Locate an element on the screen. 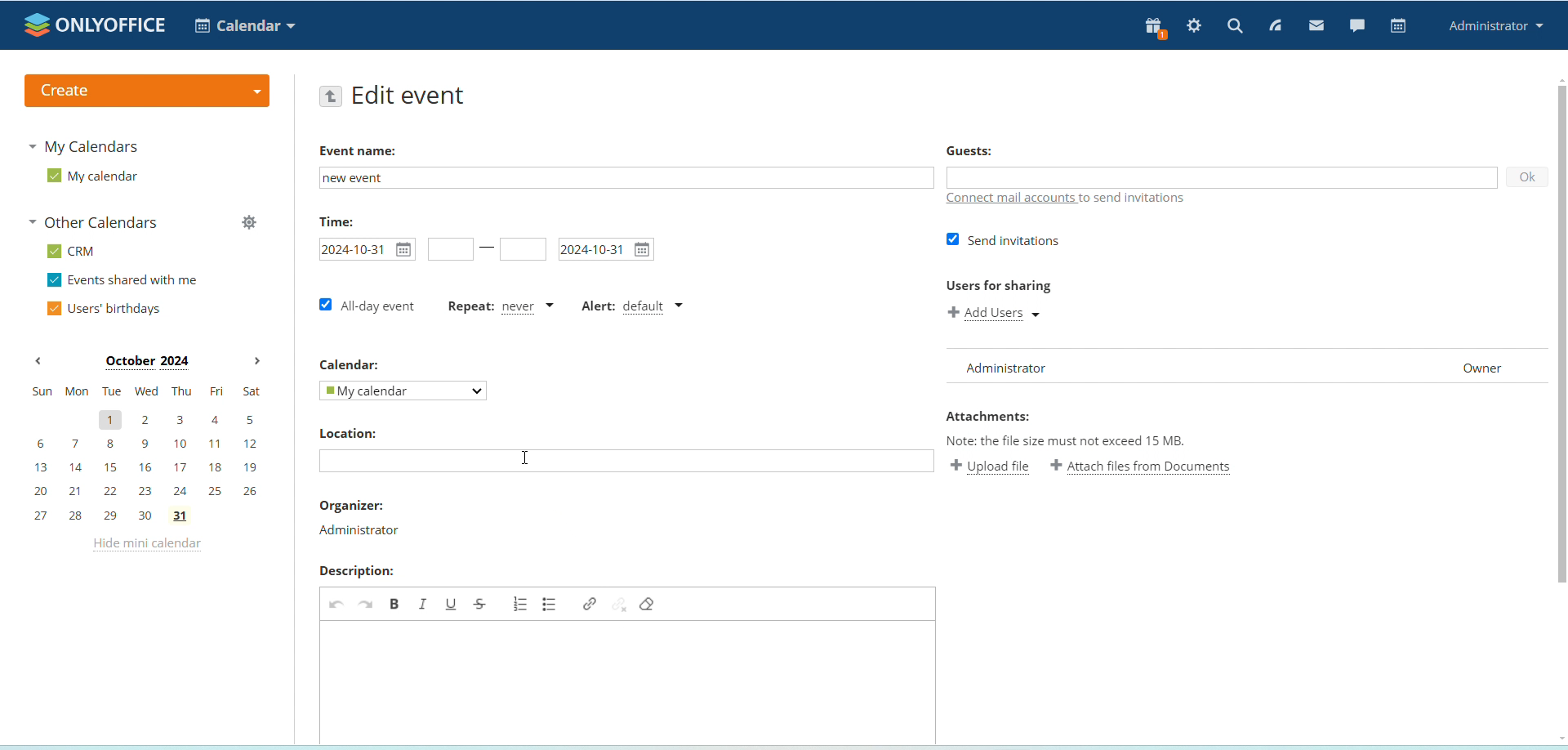 The width and height of the screenshot is (1568, 750). remove format is located at coordinates (648, 603).